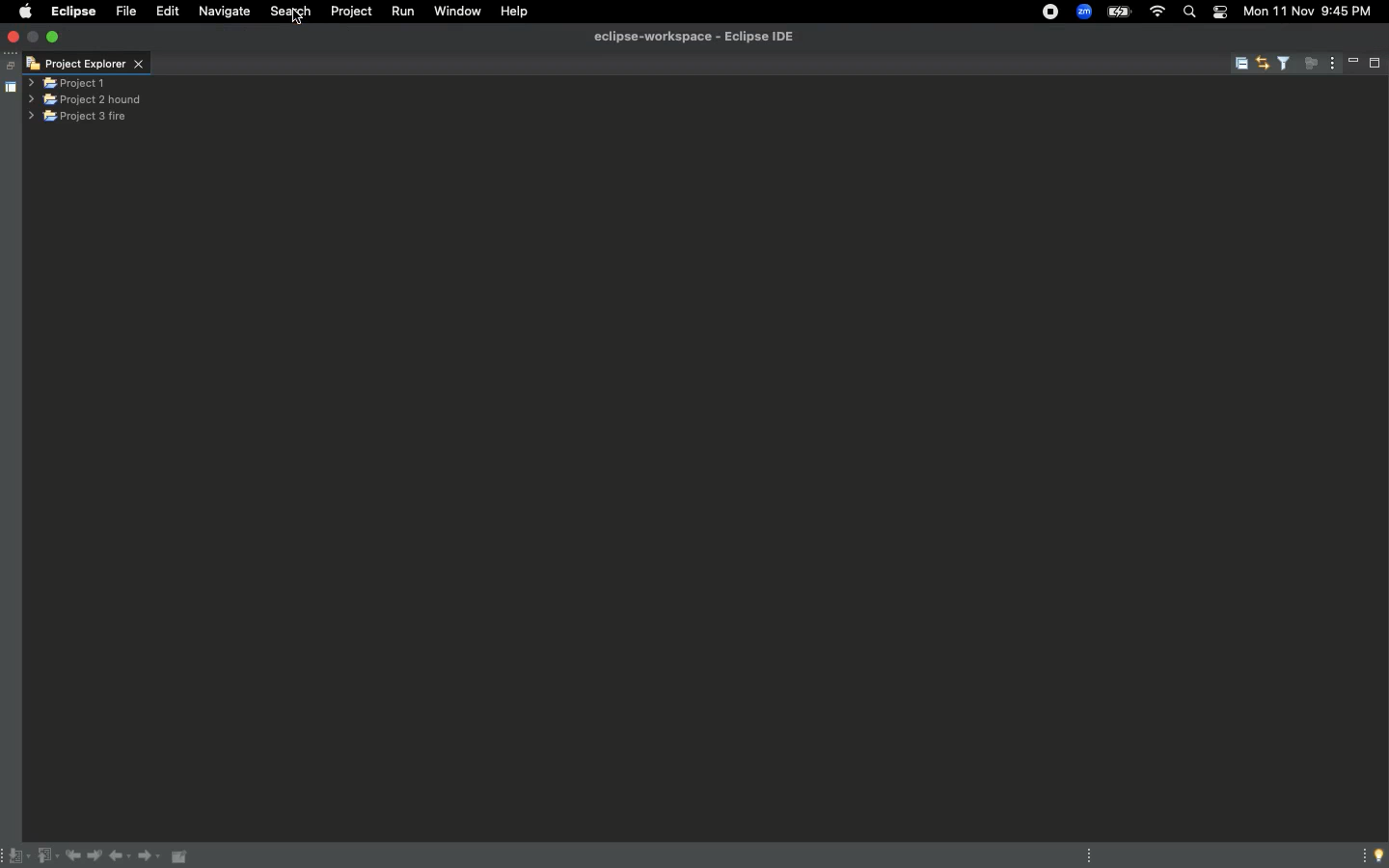 This screenshot has width=1389, height=868. I want to click on Minimize , so click(1352, 63).